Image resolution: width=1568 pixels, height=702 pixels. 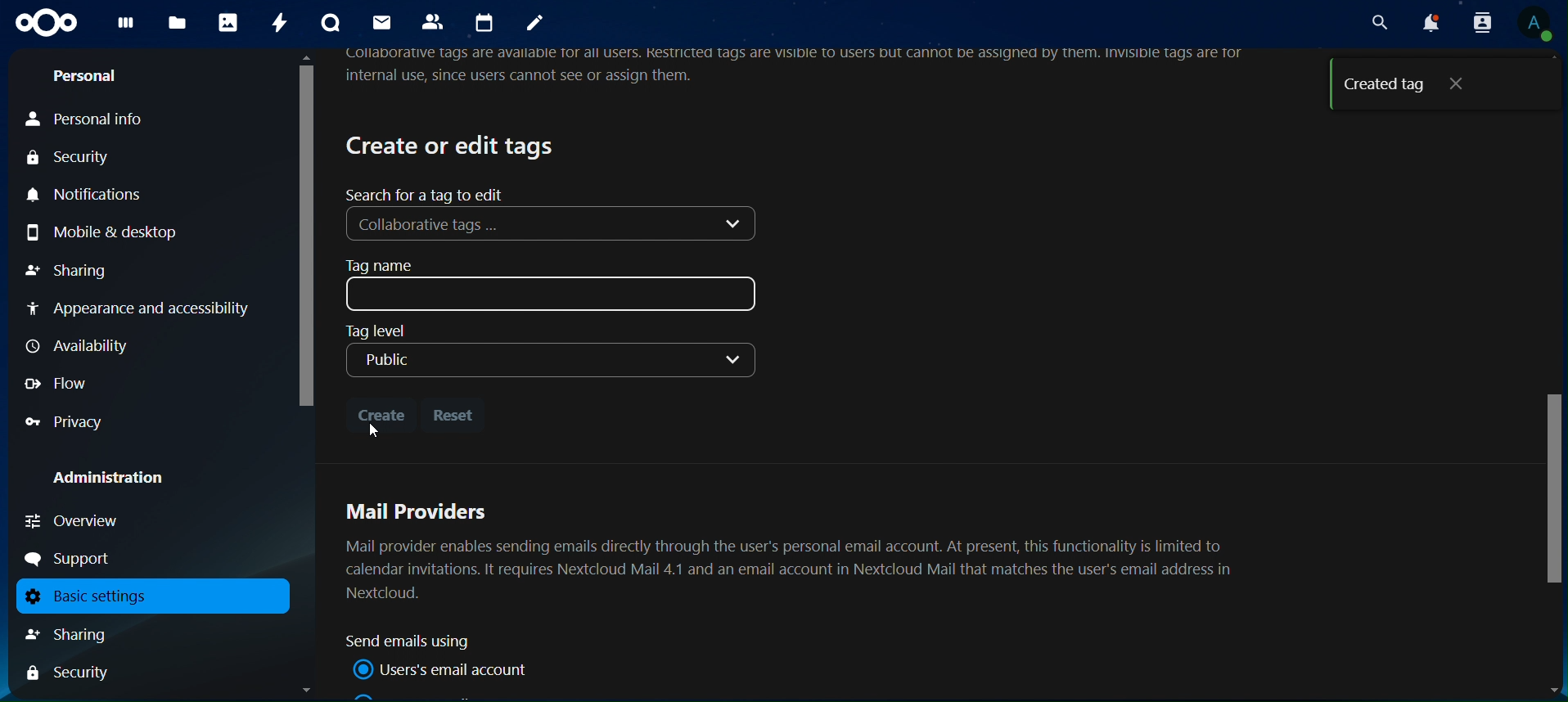 I want to click on user mail account, so click(x=445, y=669).